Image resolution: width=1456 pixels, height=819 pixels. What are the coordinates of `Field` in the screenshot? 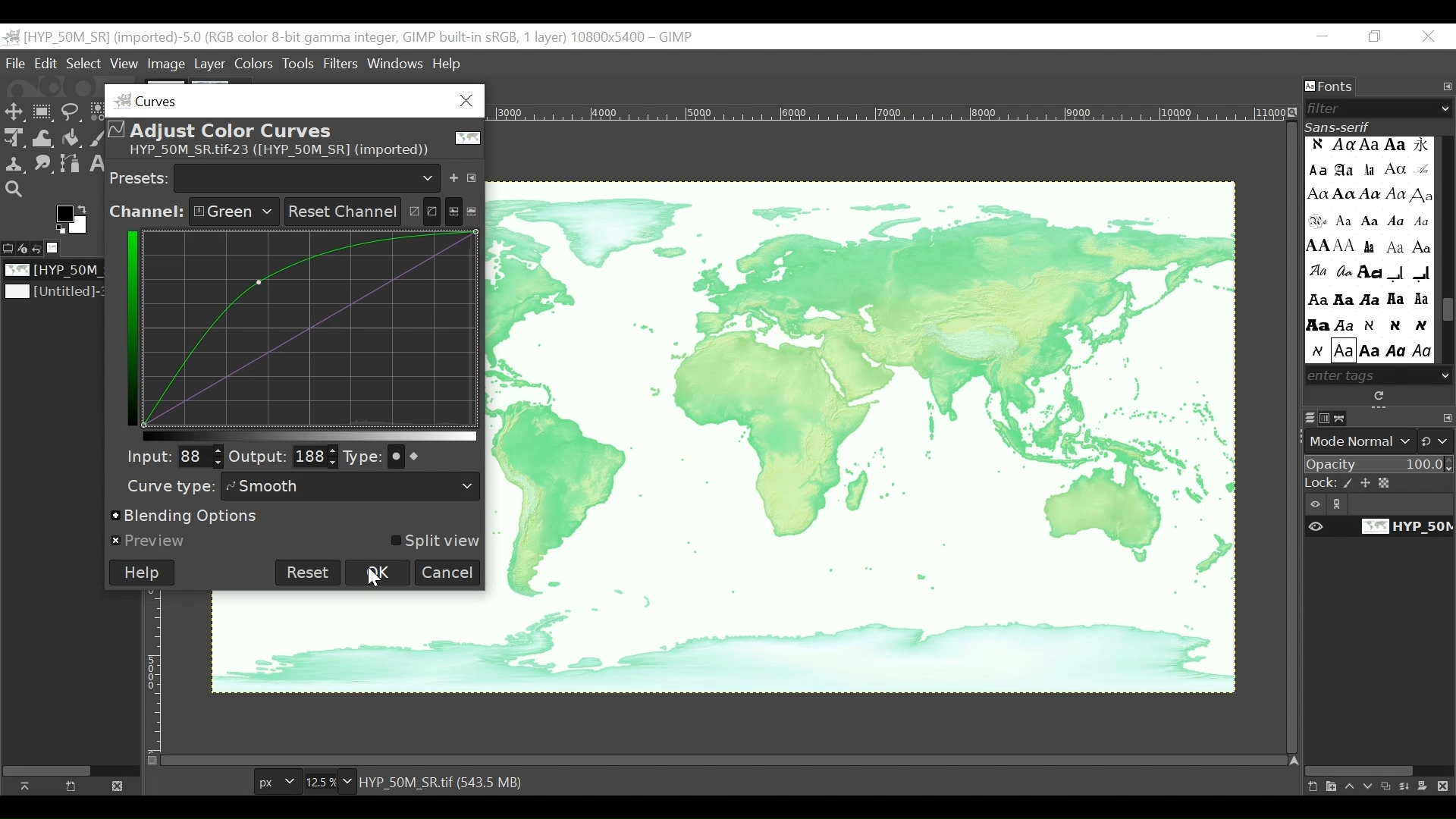 It's located at (199, 456).